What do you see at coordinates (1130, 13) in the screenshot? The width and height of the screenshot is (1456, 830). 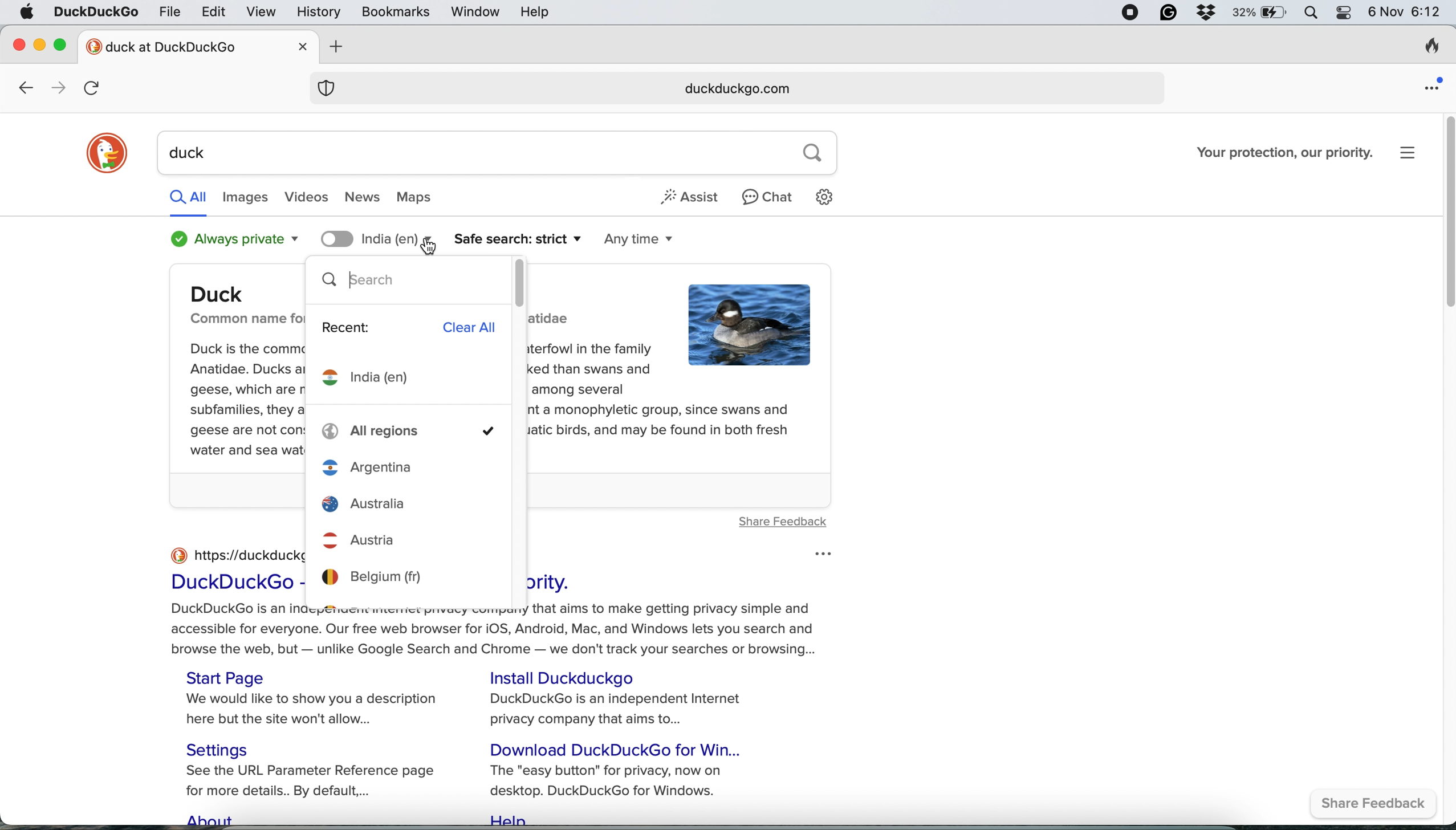 I see `screen recorder` at bounding box center [1130, 13].